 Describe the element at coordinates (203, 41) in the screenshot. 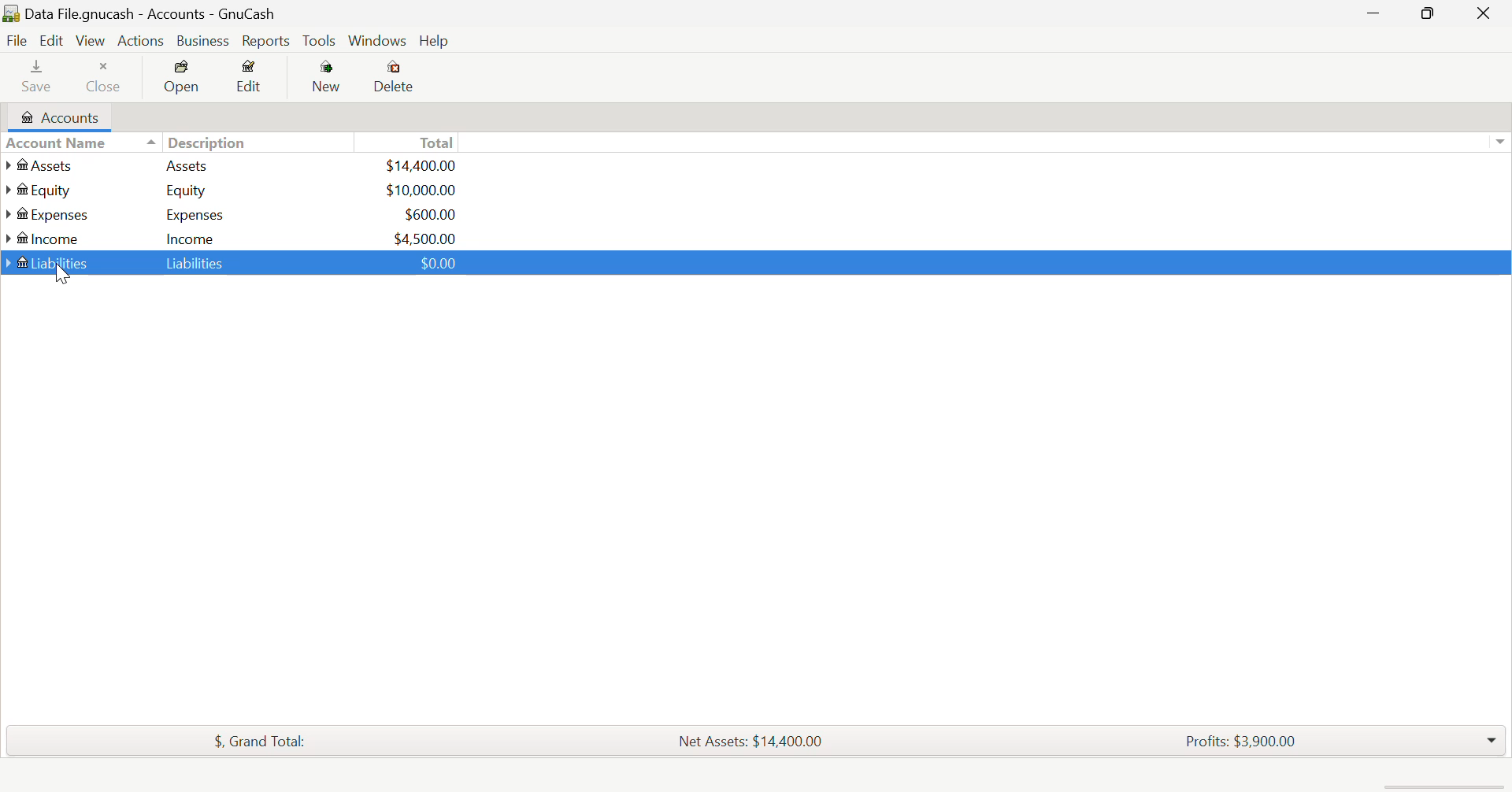

I see `Business` at that location.